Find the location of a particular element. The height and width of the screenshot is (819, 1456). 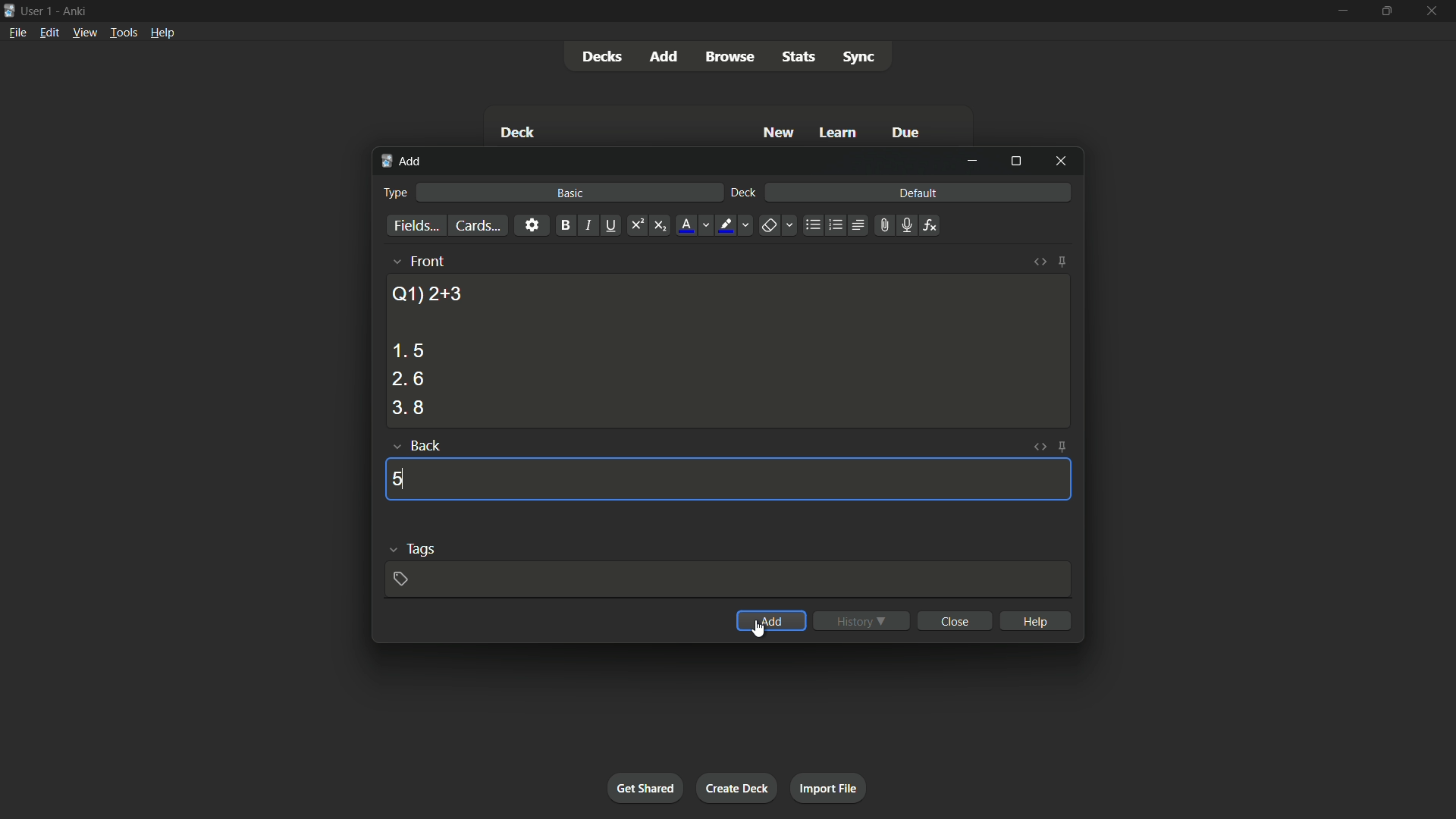

toggle html editor is located at coordinates (1040, 262).